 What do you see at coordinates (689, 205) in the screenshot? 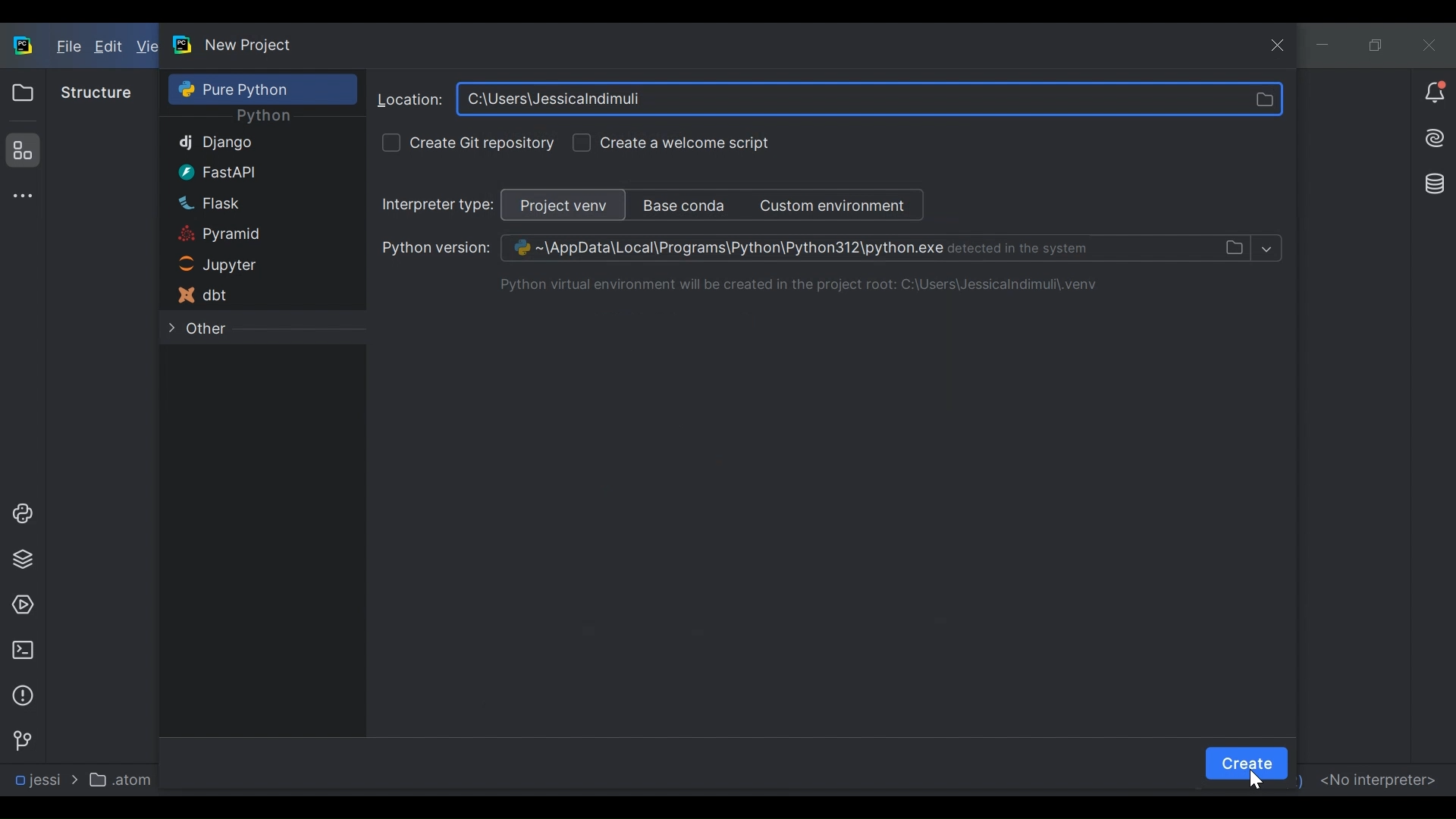
I see `Base conda` at bounding box center [689, 205].